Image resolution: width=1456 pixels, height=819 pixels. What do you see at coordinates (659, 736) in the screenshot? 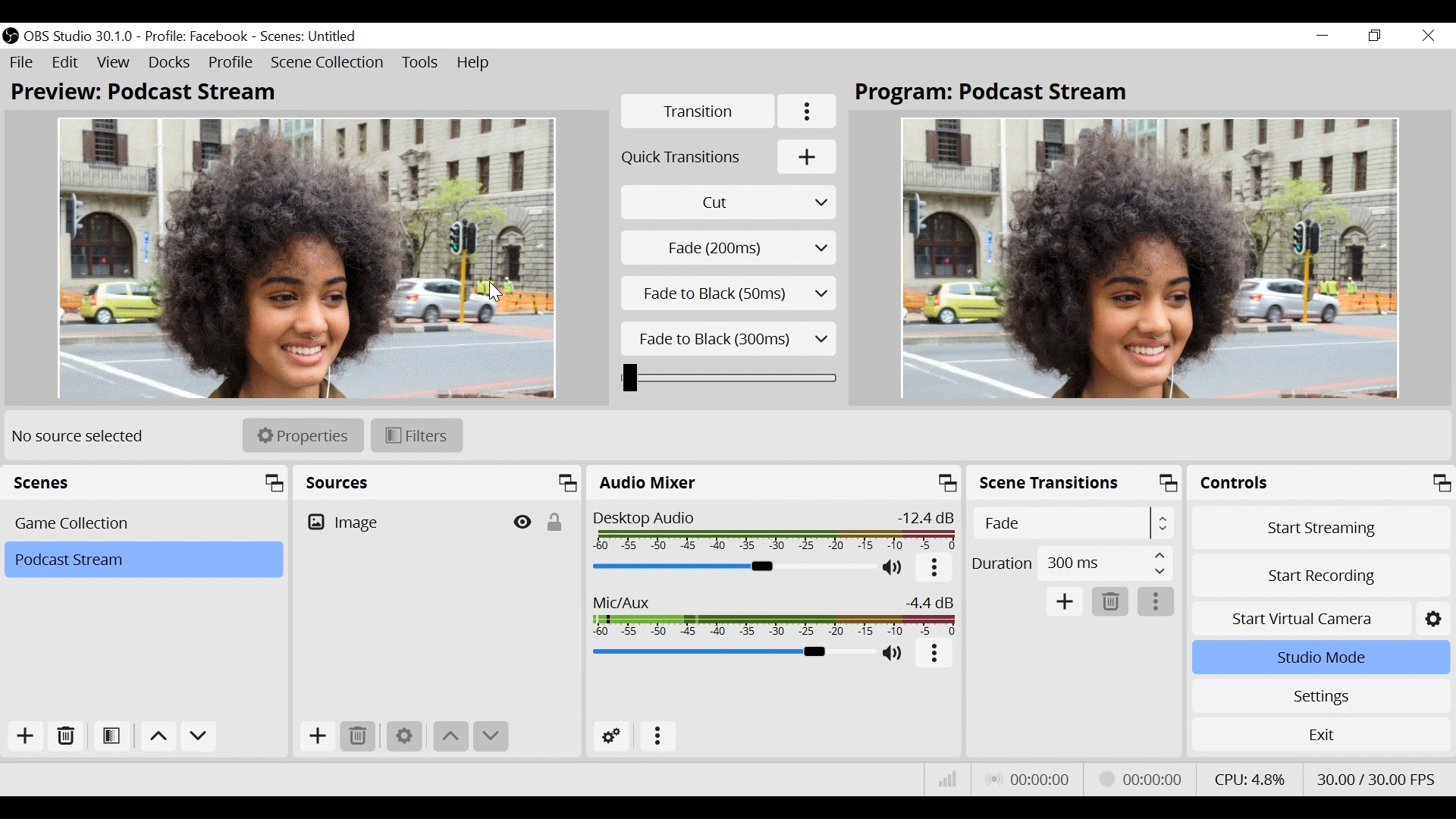
I see `more options` at bounding box center [659, 736].